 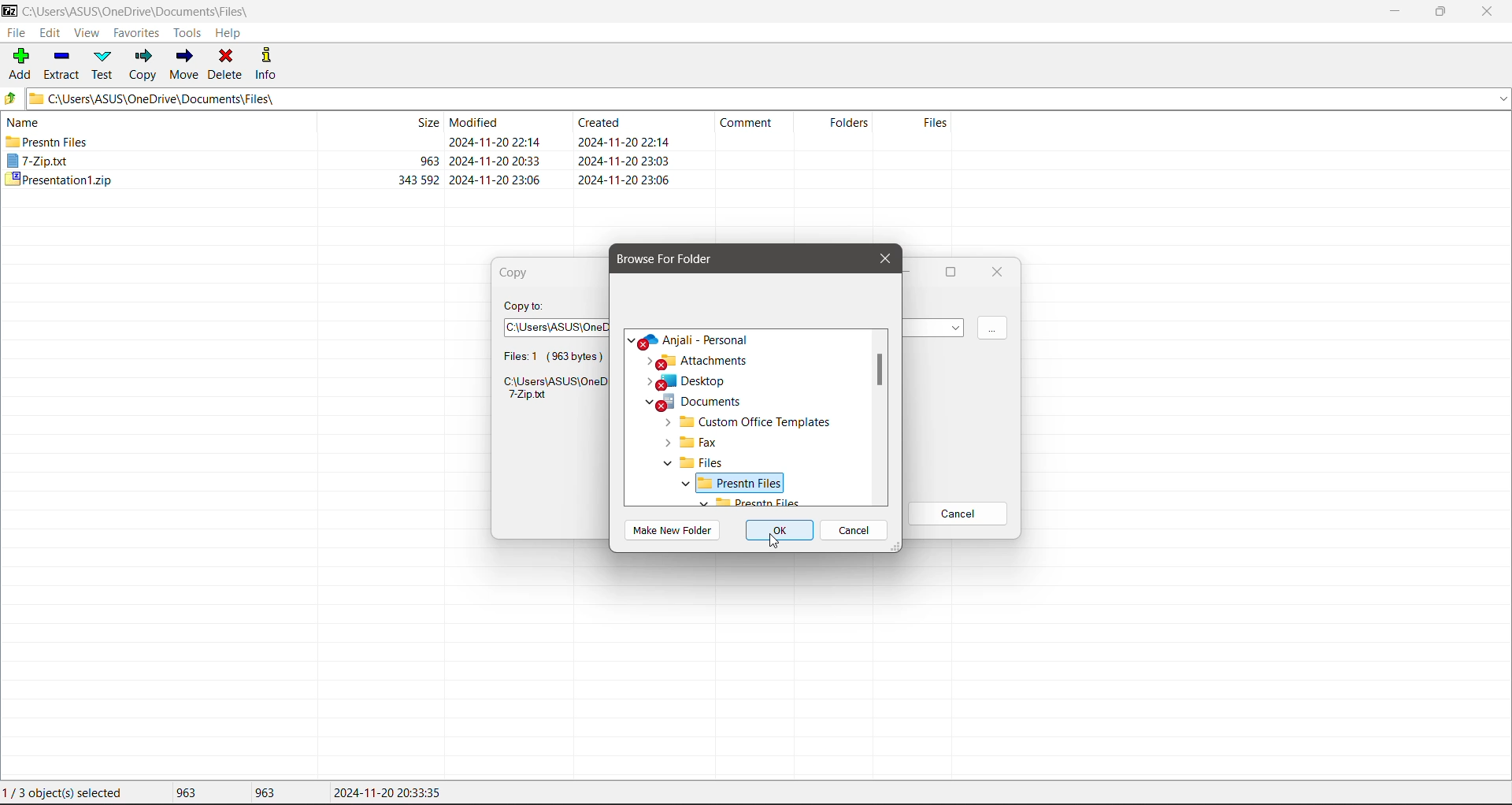 What do you see at coordinates (751, 423) in the screenshot?
I see `Custom Office Templates` at bounding box center [751, 423].